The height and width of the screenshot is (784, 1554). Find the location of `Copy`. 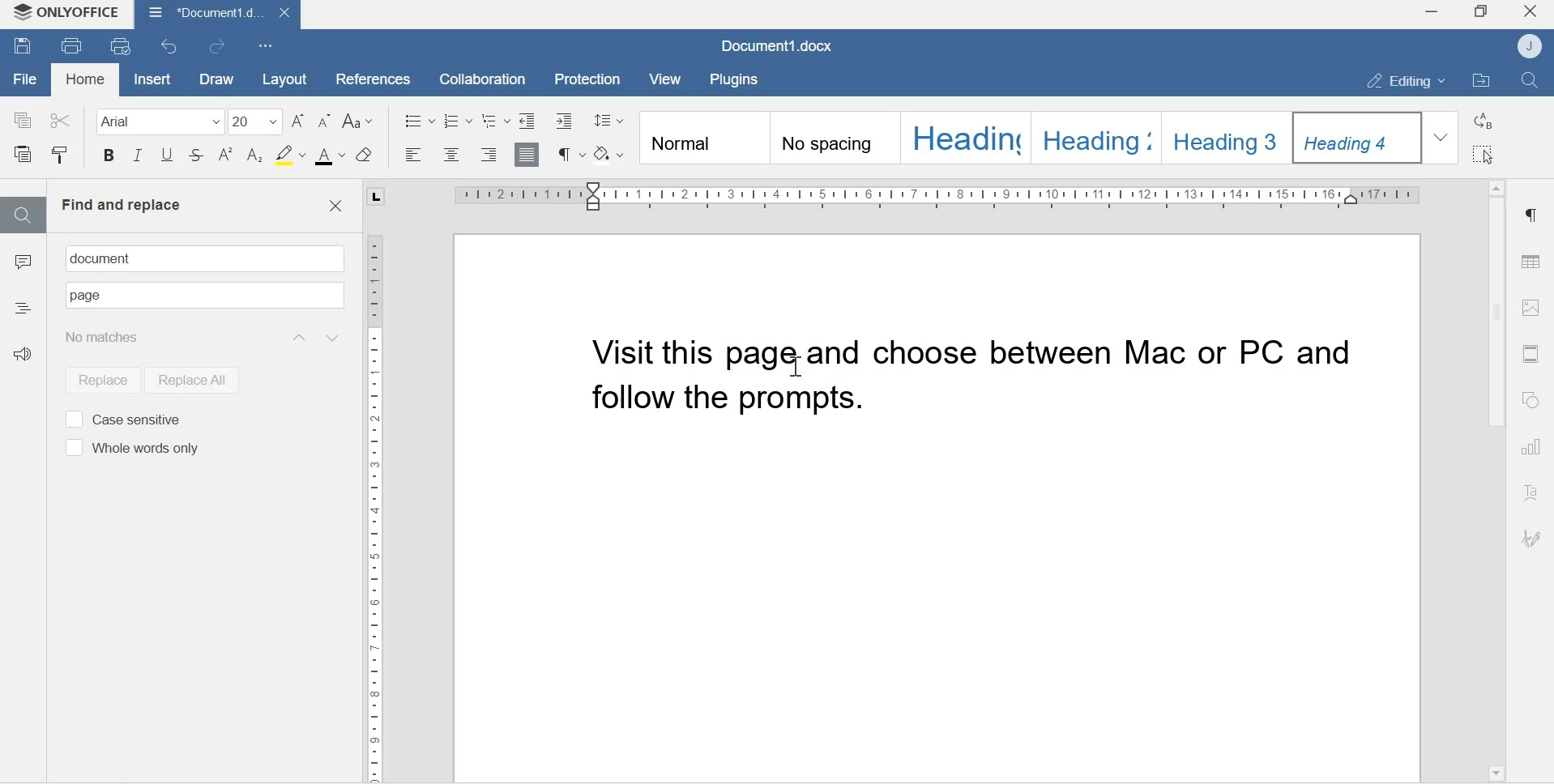

Copy is located at coordinates (23, 119).